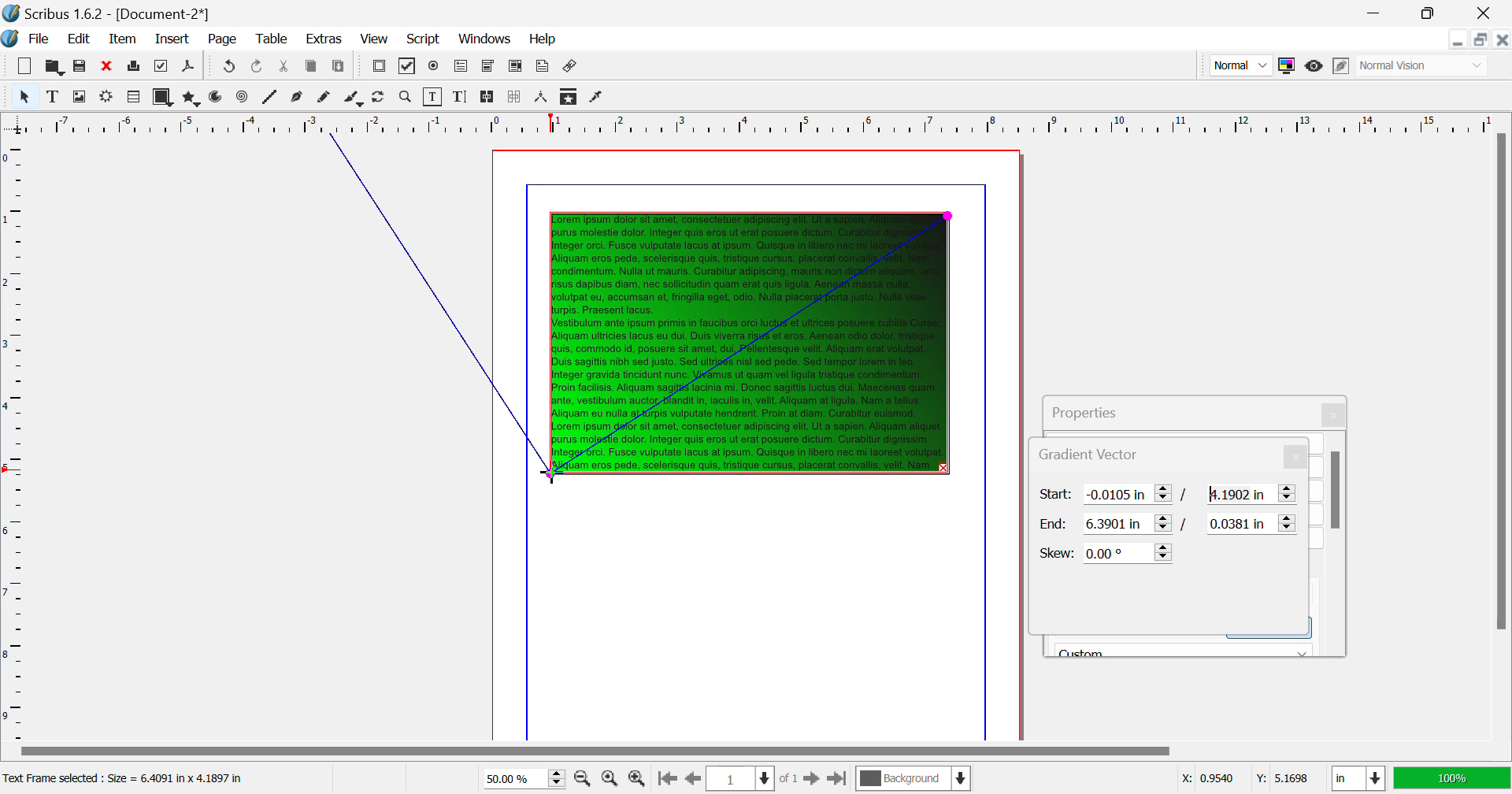  I want to click on Paste, so click(340, 69).